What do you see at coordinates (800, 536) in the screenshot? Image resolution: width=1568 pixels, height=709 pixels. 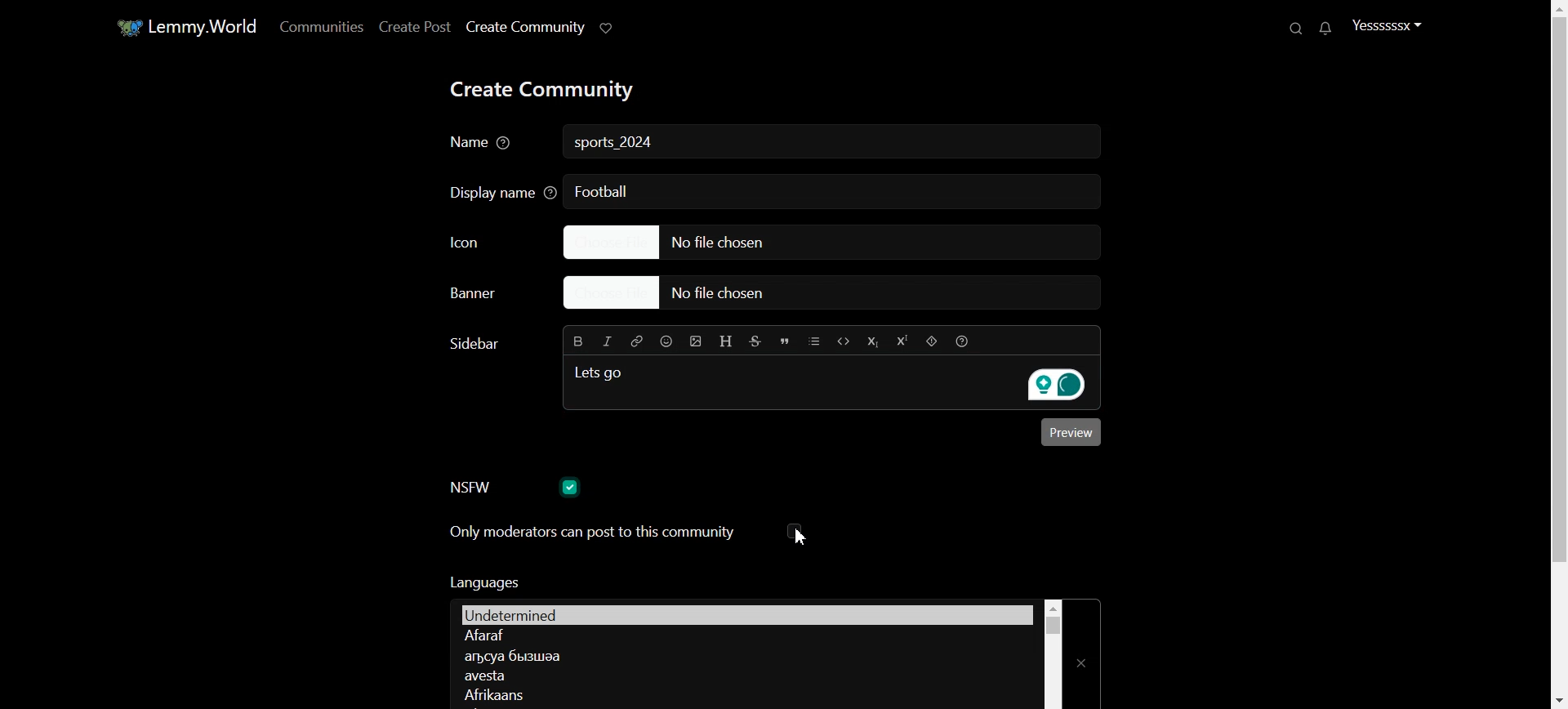 I see `Cursor` at bounding box center [800, 536].